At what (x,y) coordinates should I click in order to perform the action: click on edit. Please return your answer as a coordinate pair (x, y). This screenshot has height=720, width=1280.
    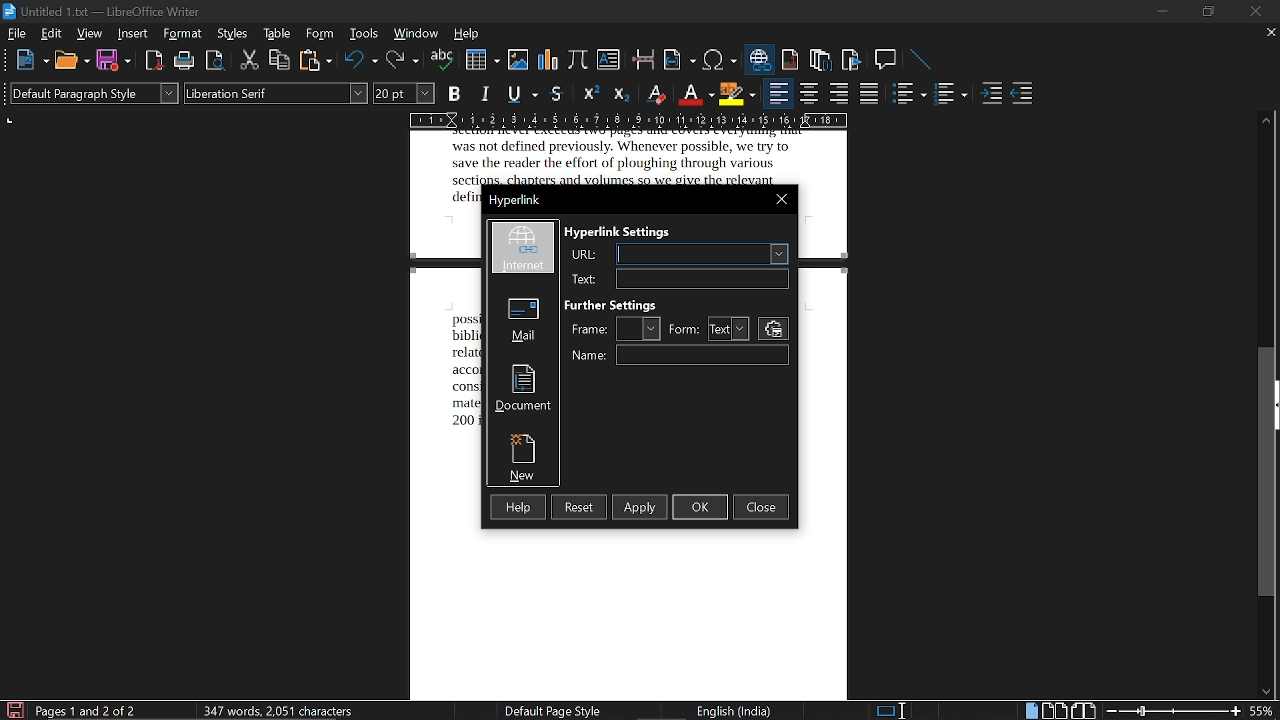
    Looking at the image, I should click on (50, 33).